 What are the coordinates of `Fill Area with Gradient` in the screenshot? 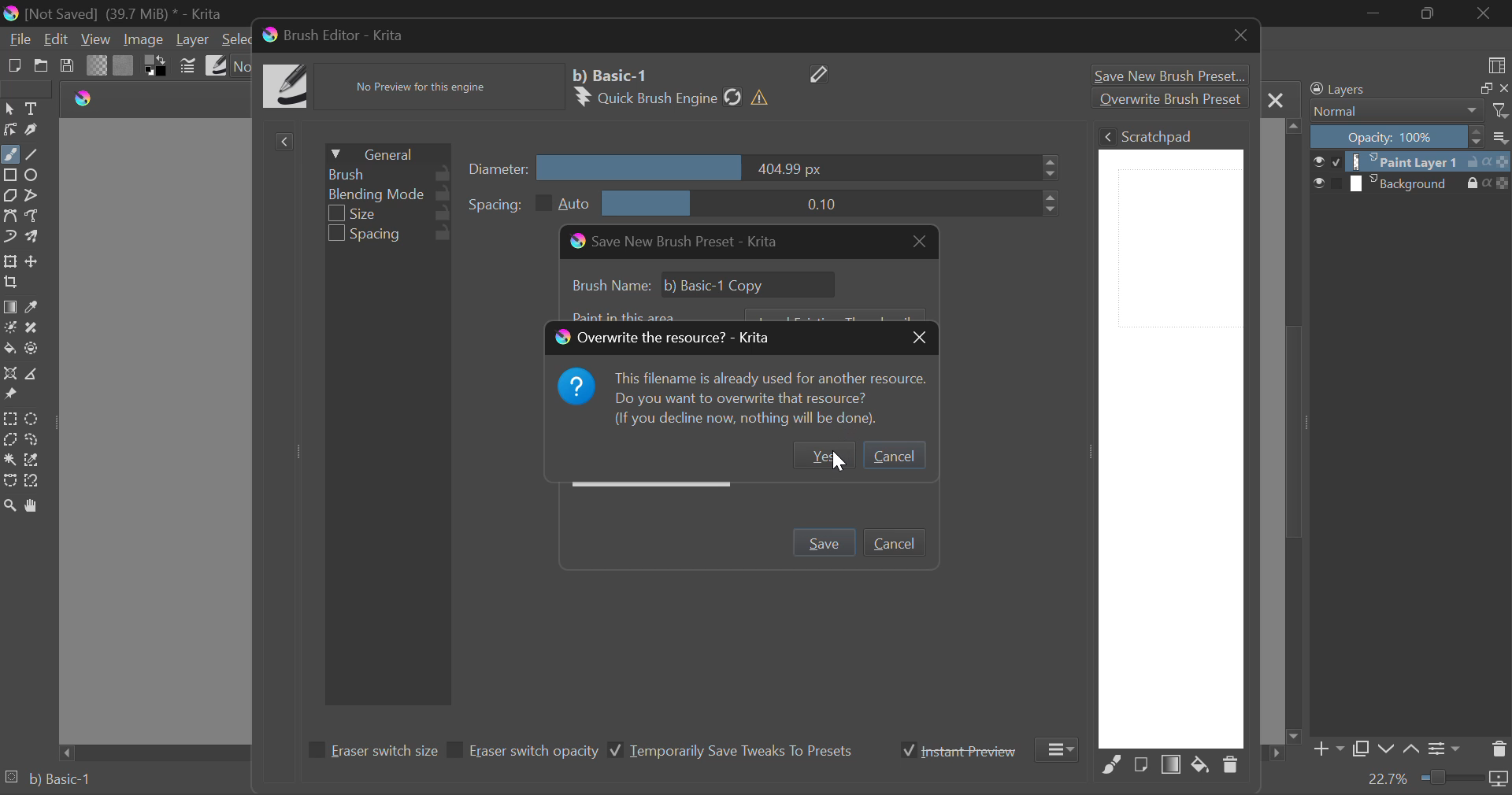 It's located at (1172, 766).